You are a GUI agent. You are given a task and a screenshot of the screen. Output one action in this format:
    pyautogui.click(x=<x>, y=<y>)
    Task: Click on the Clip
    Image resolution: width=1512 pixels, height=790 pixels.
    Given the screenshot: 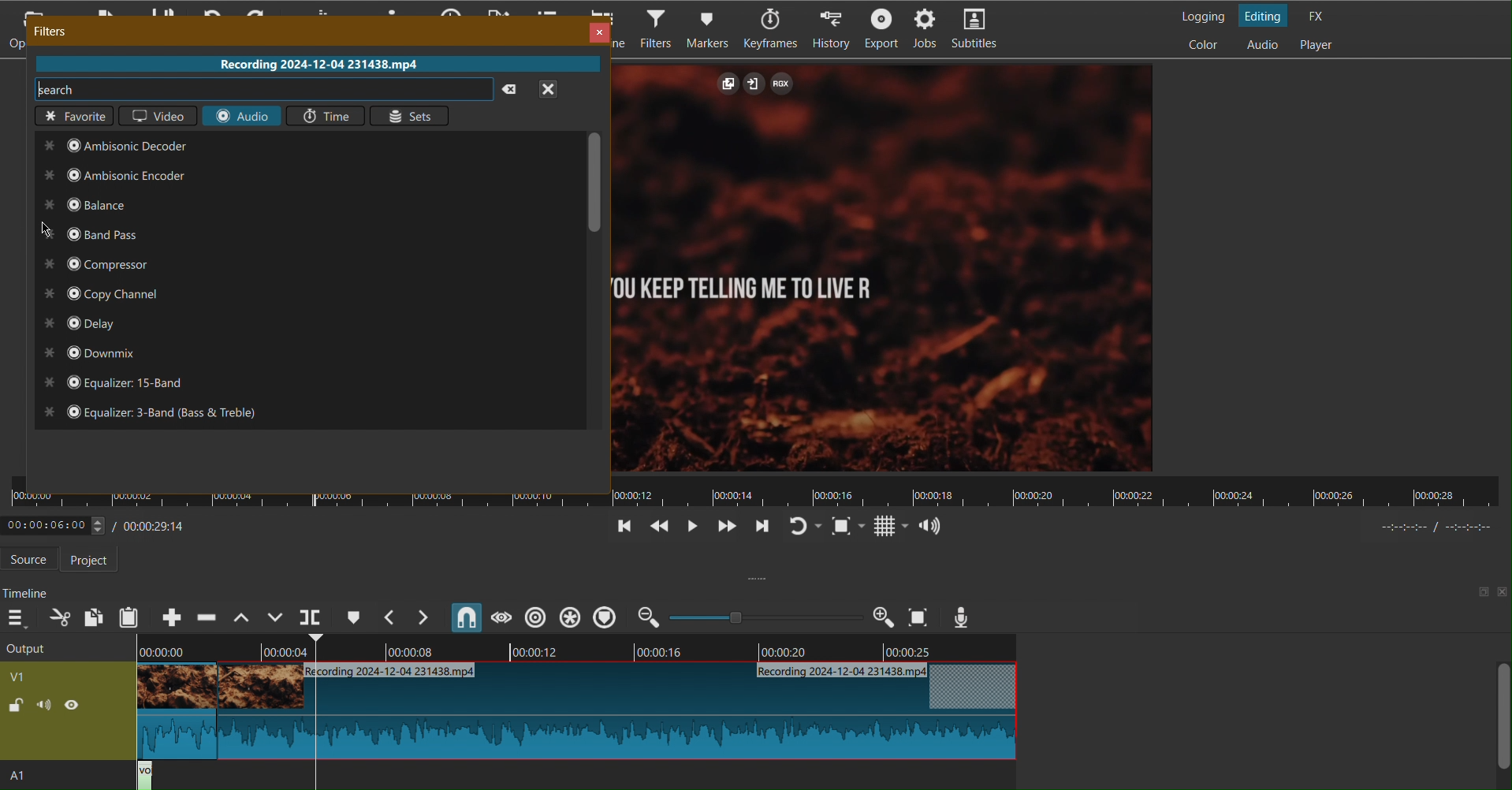 What is the action you would take?
    pyautogui.click(x=571, y=714)
    